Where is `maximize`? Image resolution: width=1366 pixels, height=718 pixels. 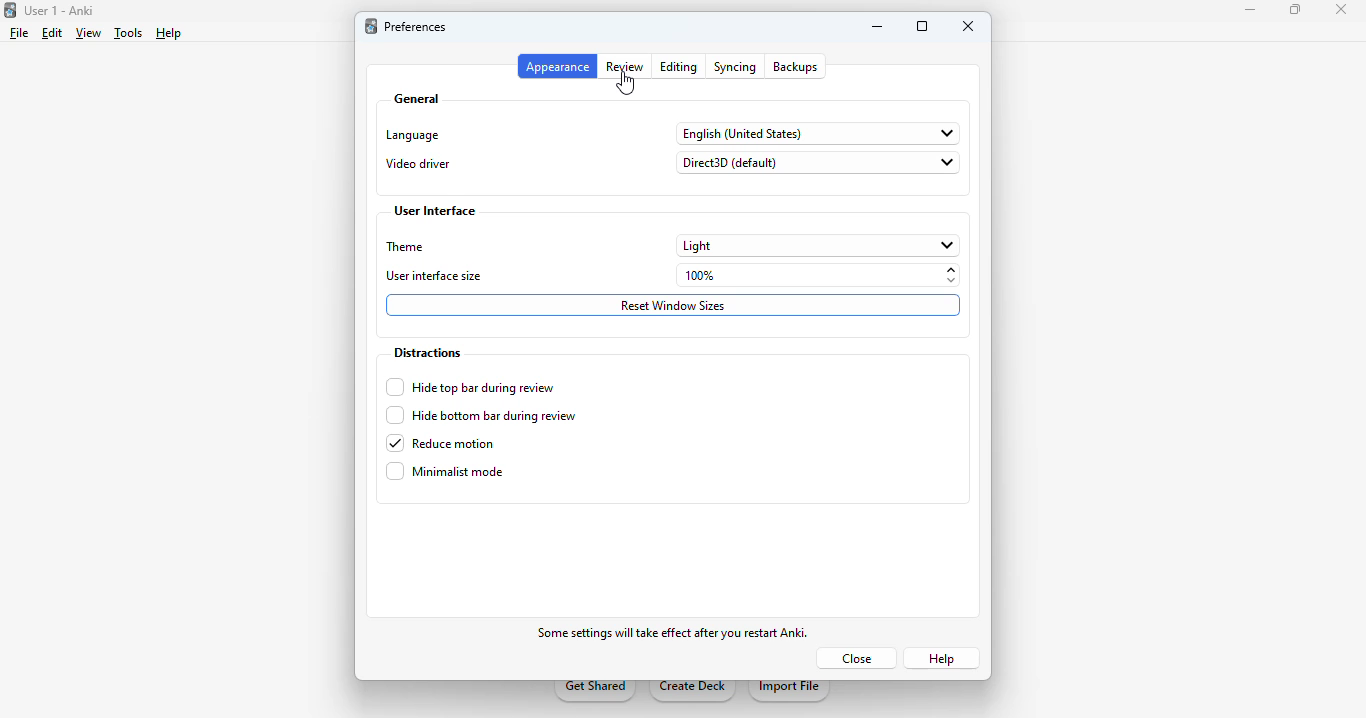 maximize is located at coordinates (923, 26).